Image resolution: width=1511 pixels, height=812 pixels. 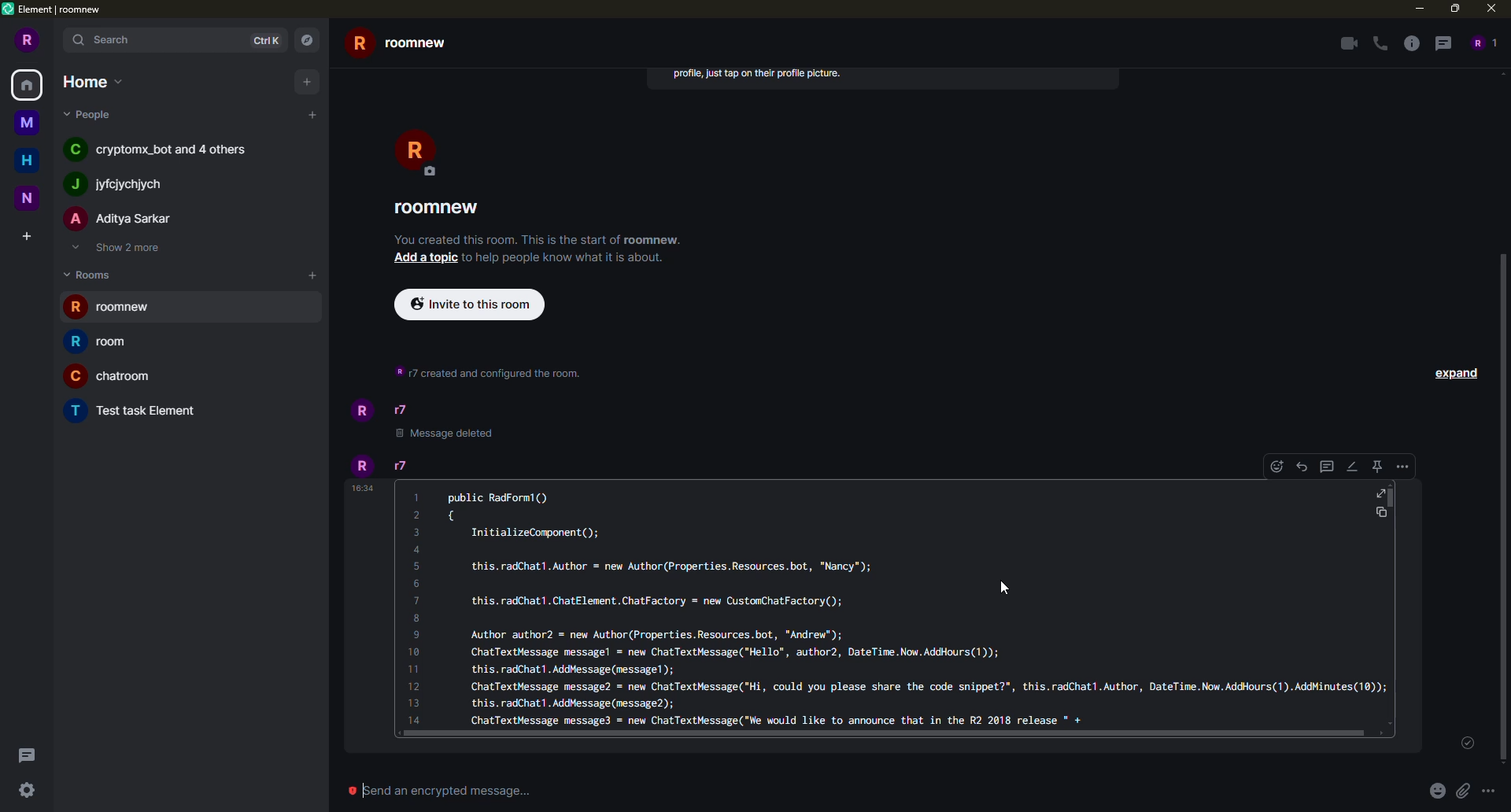 I want to click on home, so click(x=100, y=81).